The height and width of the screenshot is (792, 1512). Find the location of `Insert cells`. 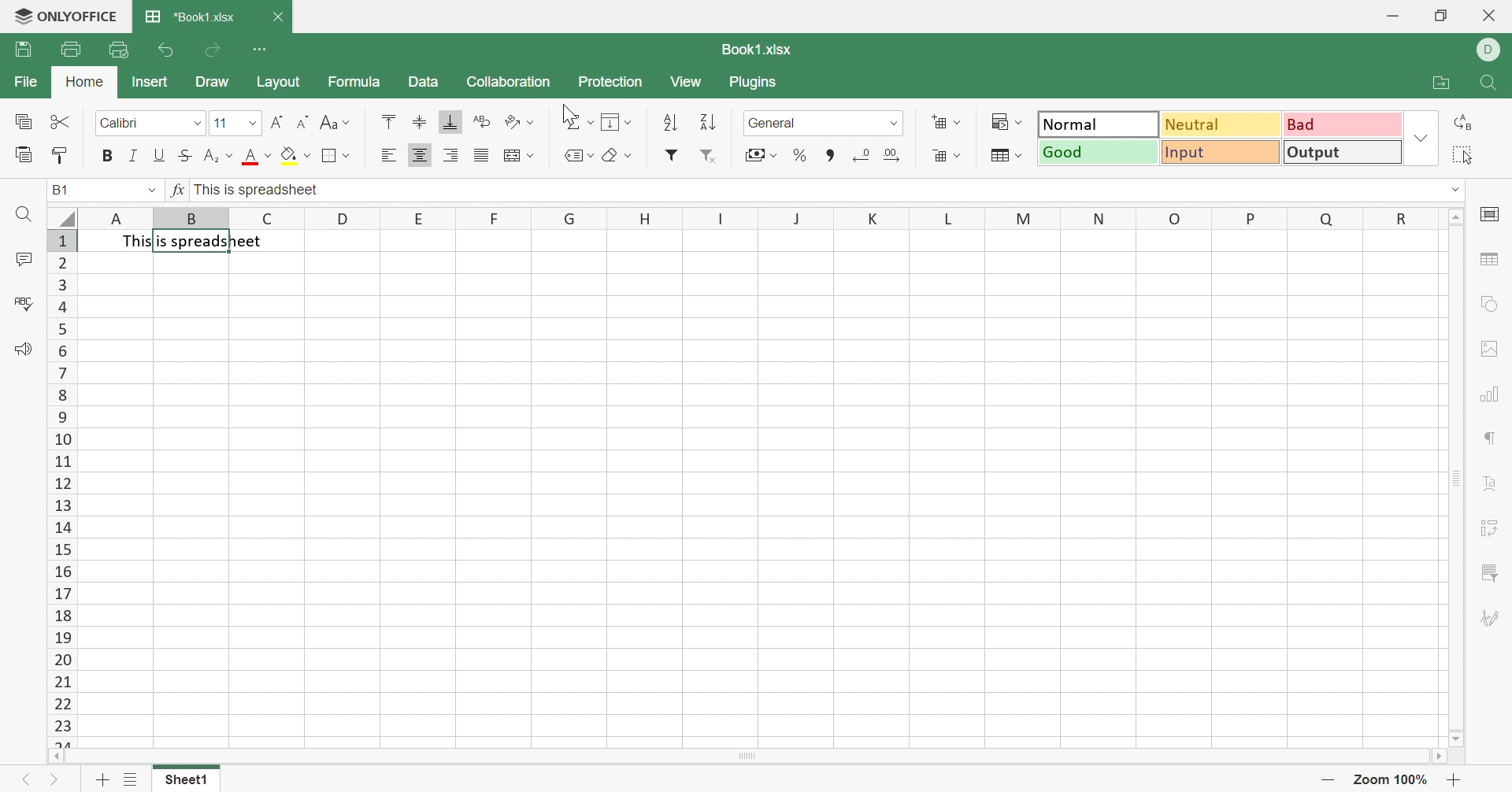

Insert cells is located at coordinates (936, 120).